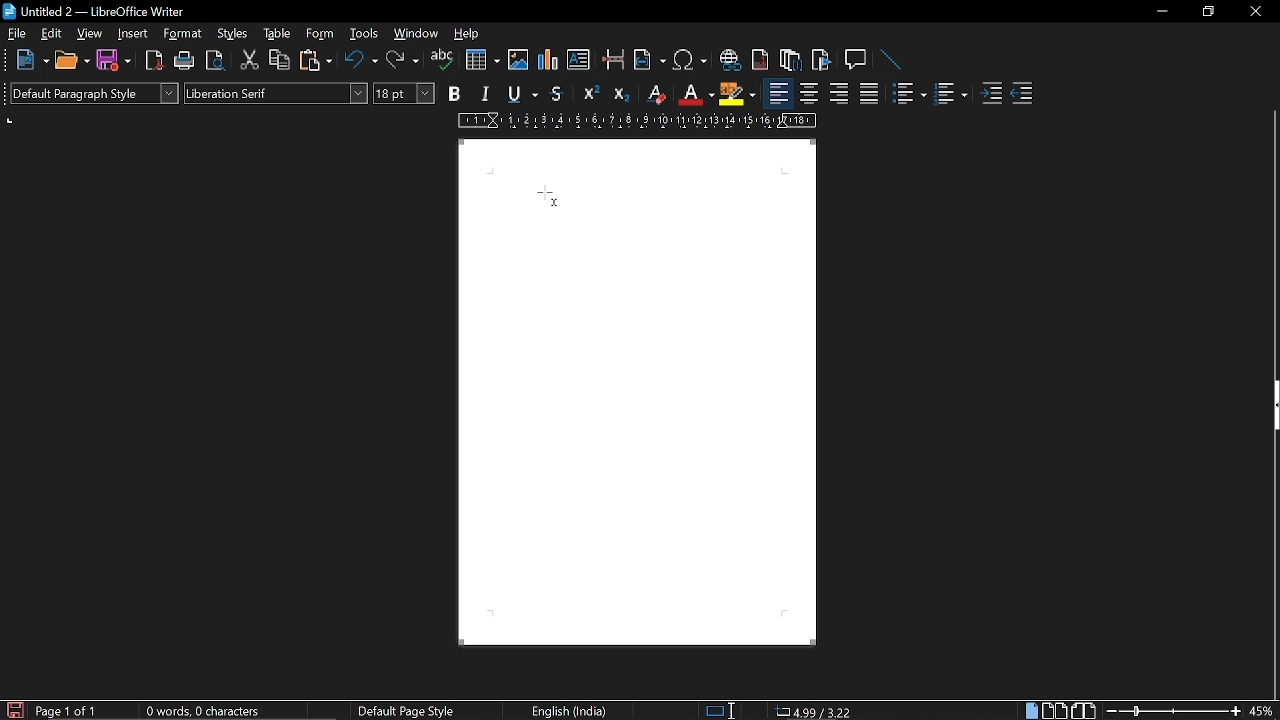 This screenshot has width=1280, height=720. Describe the element at coordinates (276, 92) in the screenshot. I see `text style` at that location.